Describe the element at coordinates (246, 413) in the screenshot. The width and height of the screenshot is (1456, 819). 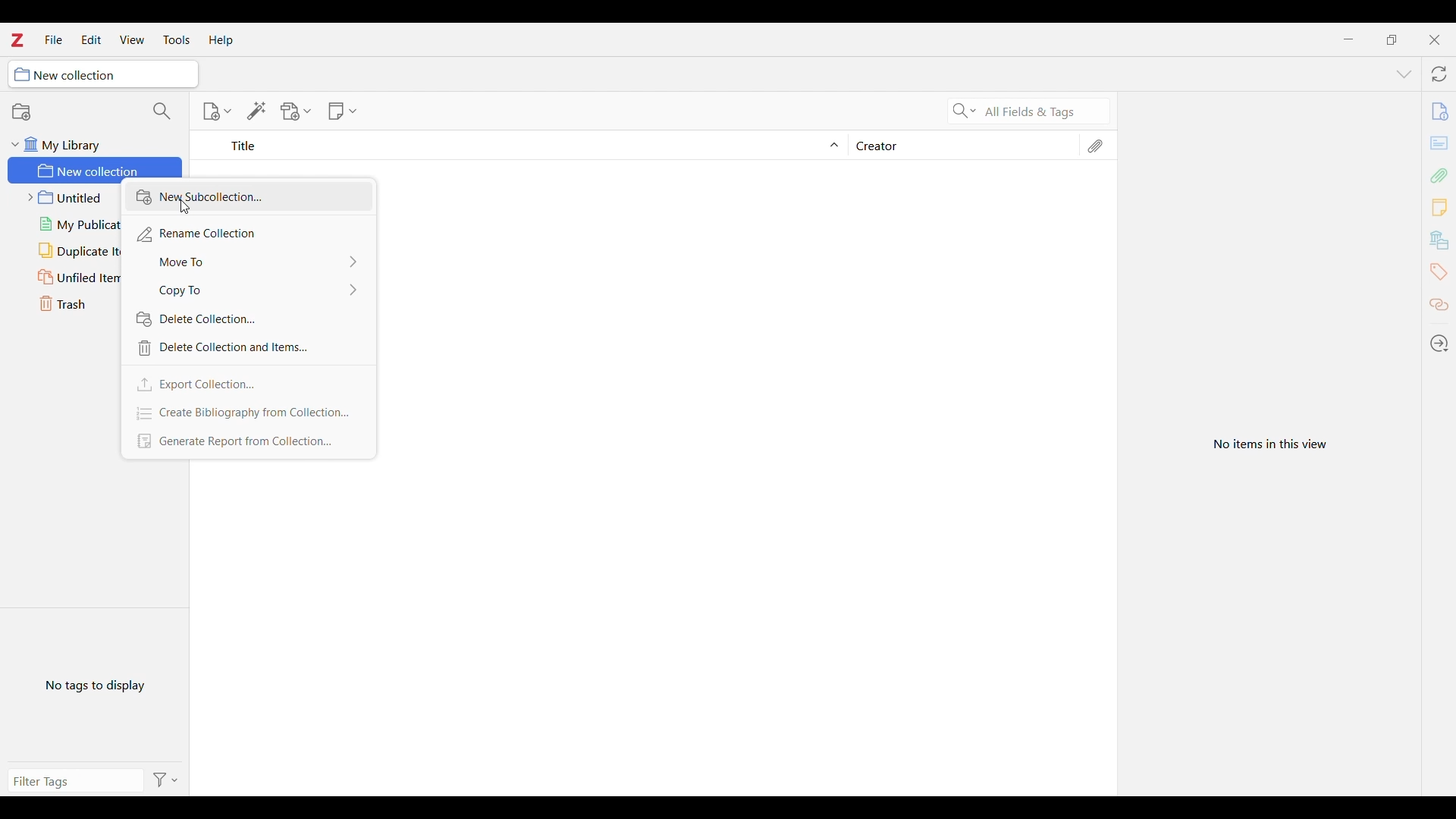
I see `Create bibliography from collection` at that location.